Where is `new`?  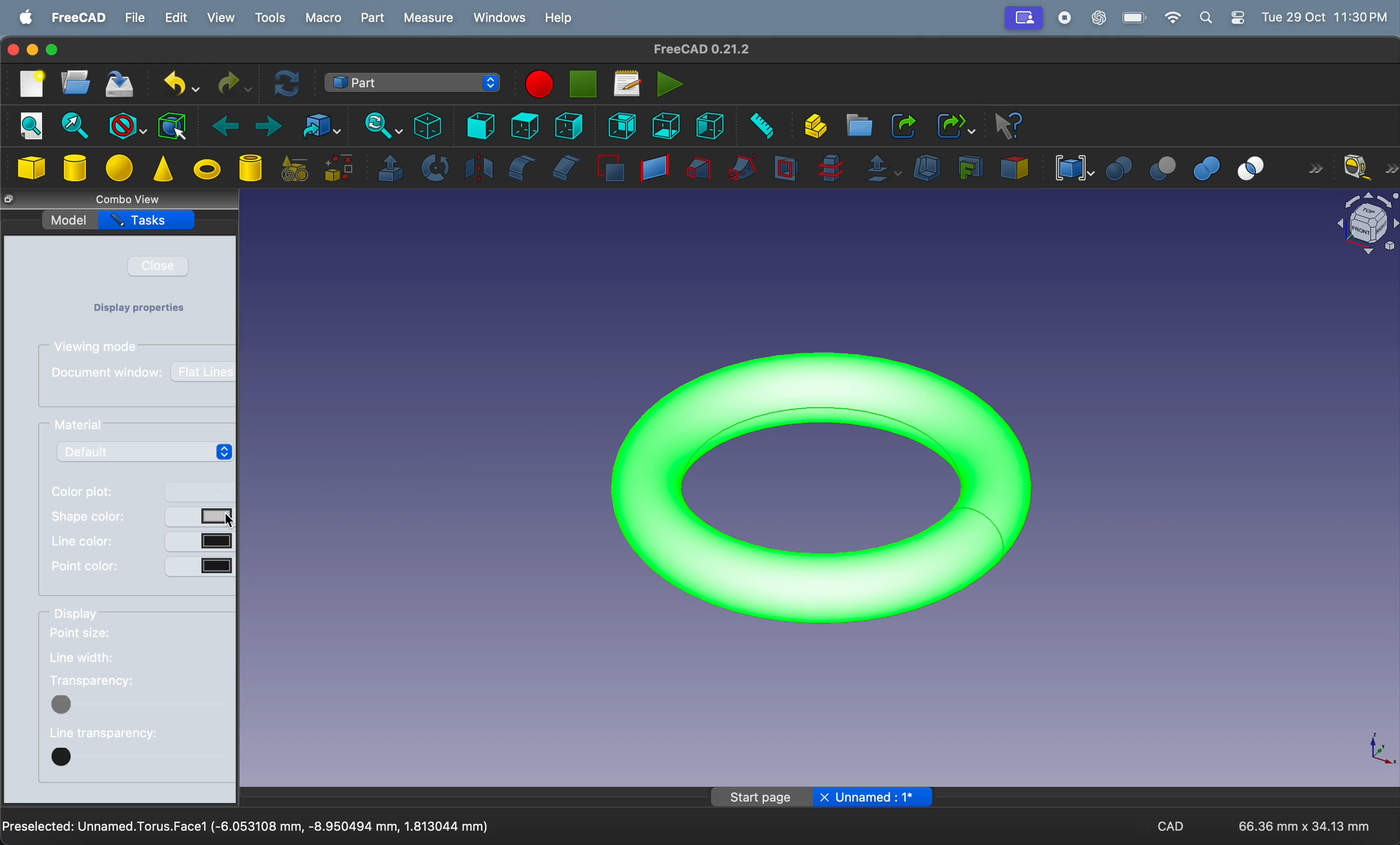 new is located at coordinates (28, 85).